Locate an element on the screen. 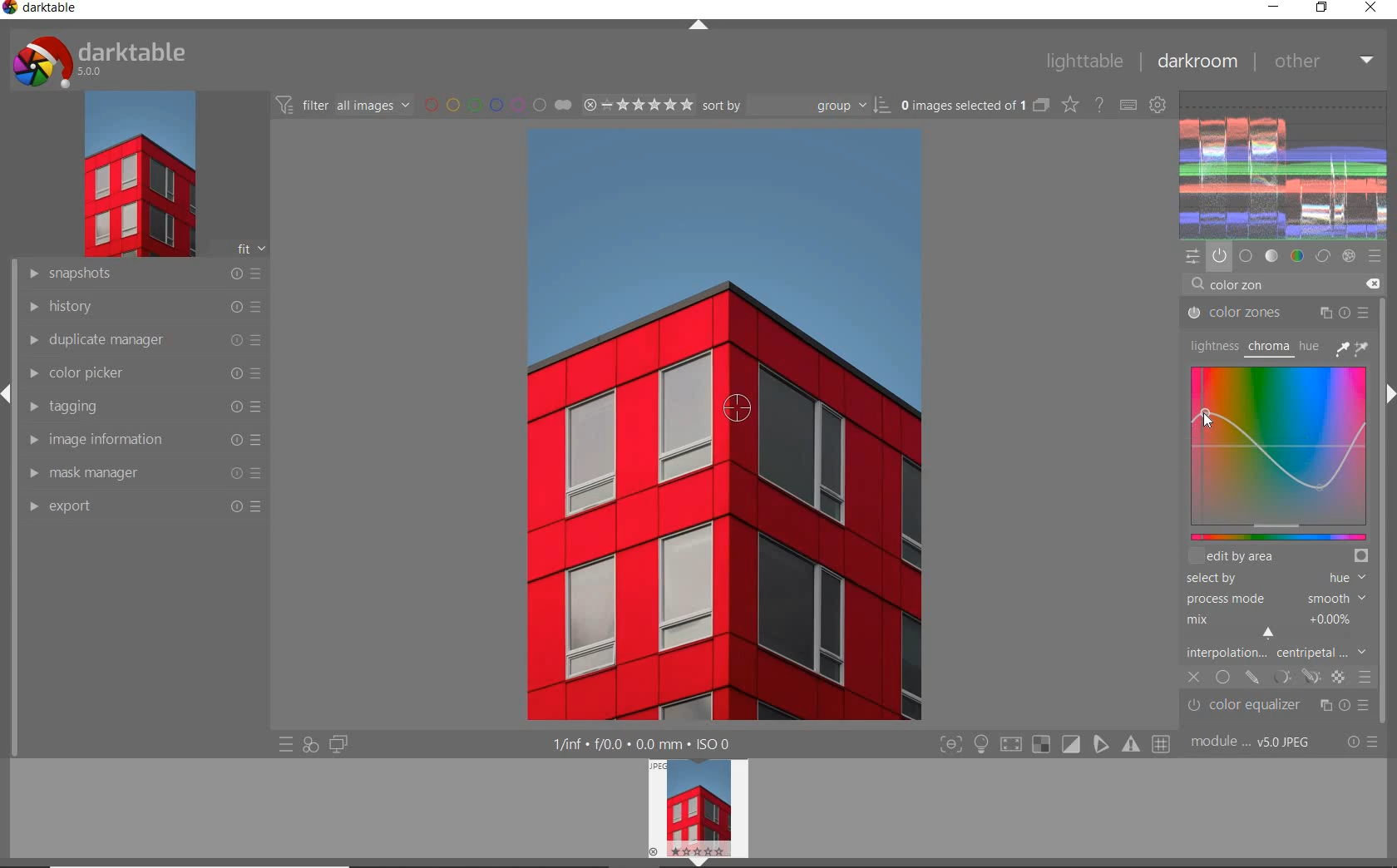  lighttable is located at coordinates (1083, 62).